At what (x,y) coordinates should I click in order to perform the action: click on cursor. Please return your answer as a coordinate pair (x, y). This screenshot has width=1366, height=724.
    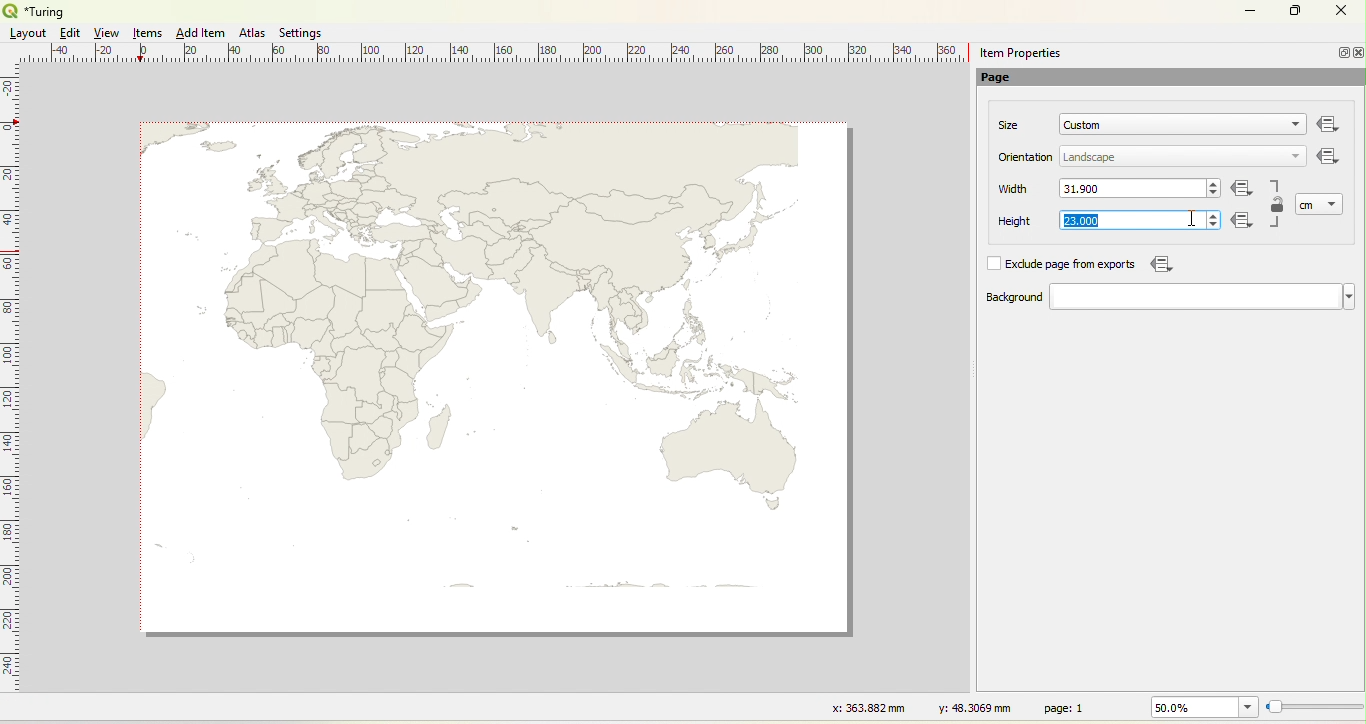
    Looking at the image, I should click on (1219, 224).